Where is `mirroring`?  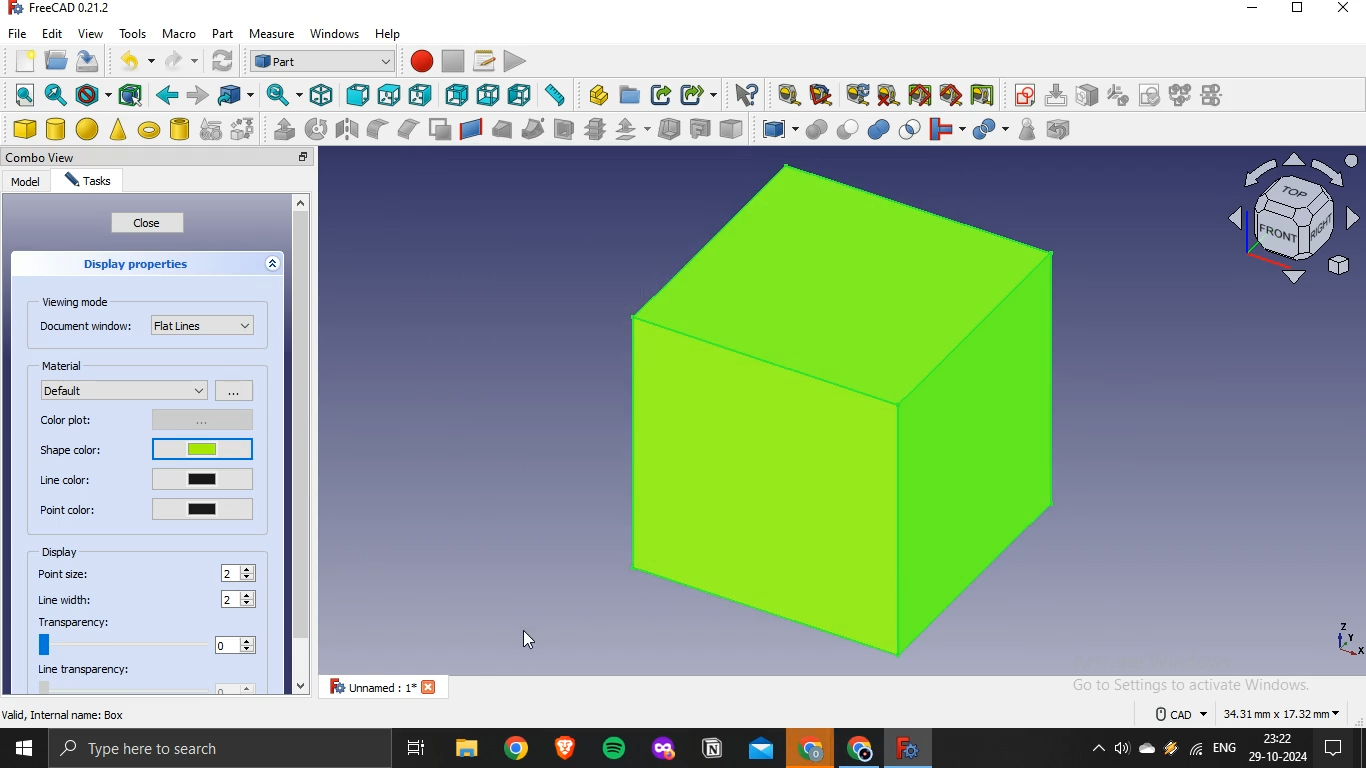 mirroring is located at coordinates (348, 128).